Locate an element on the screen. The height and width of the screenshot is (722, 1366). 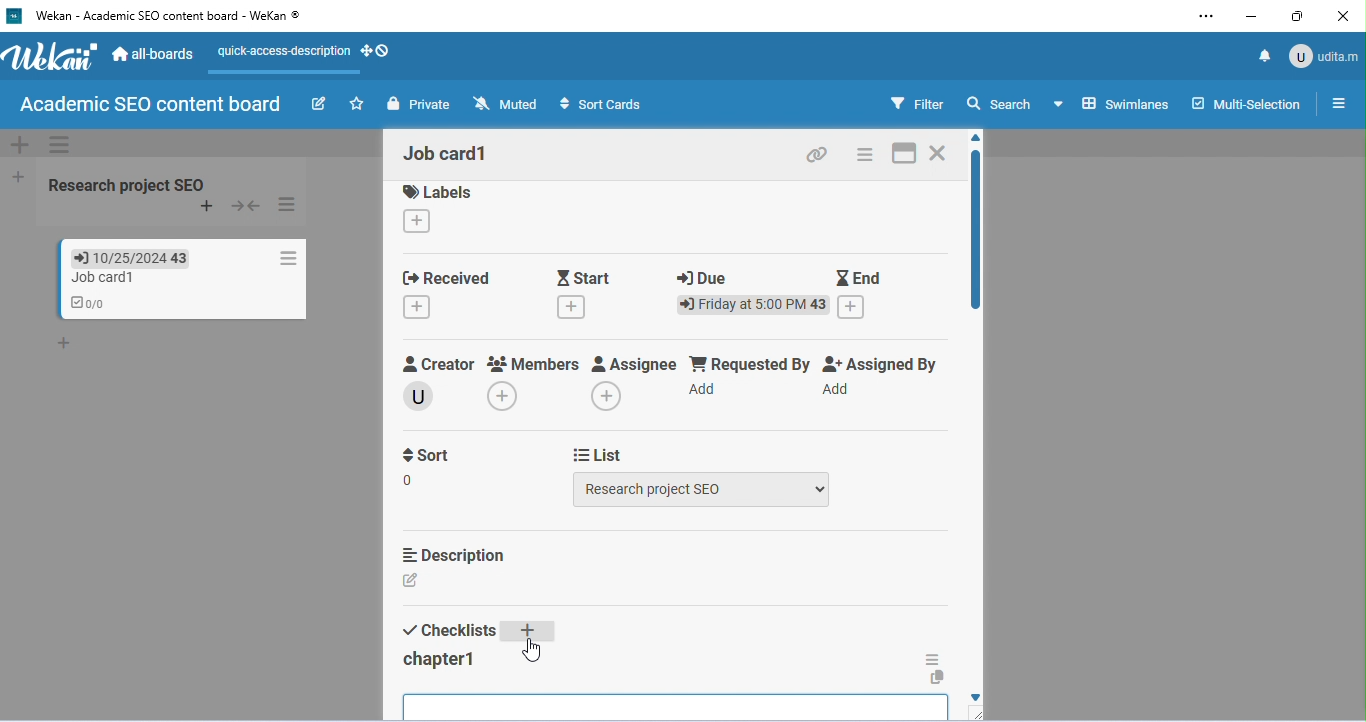
select board view is located at coordinates (1111, 103).